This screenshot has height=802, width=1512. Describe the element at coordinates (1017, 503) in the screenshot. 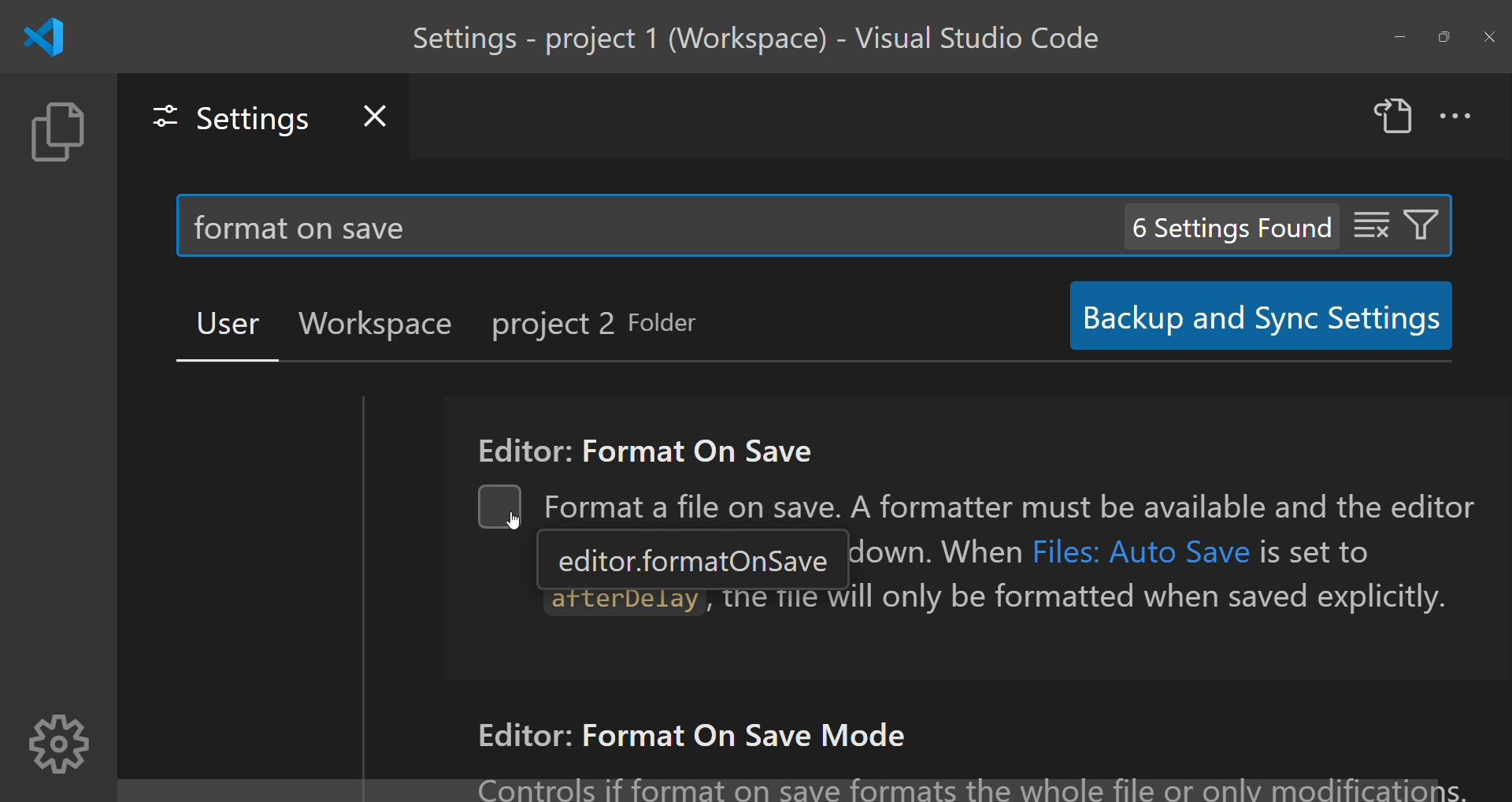

I see `Format a file on save. A formatter must be available and the editor` at that location.